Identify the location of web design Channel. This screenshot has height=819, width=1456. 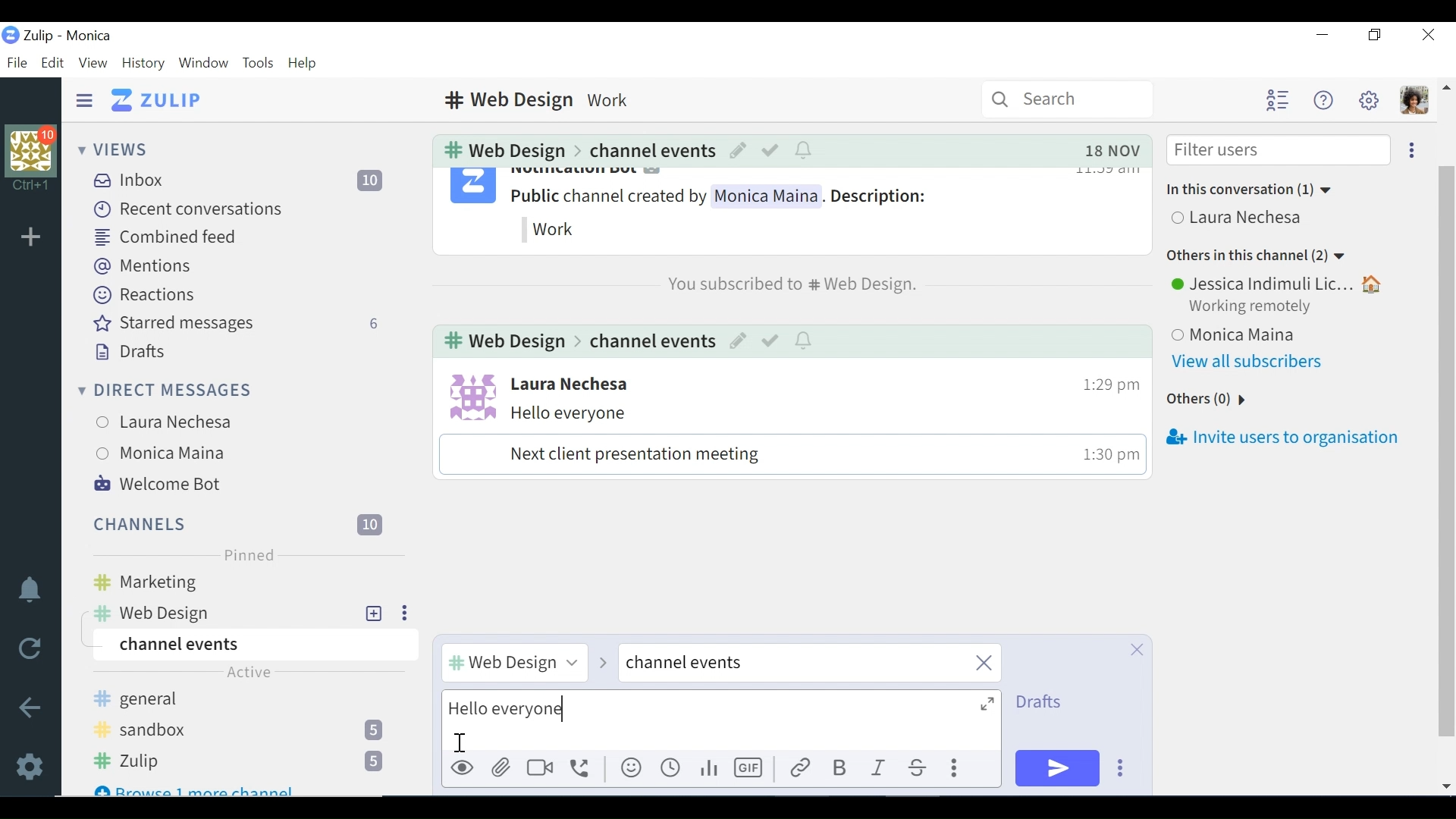
(221, 613).